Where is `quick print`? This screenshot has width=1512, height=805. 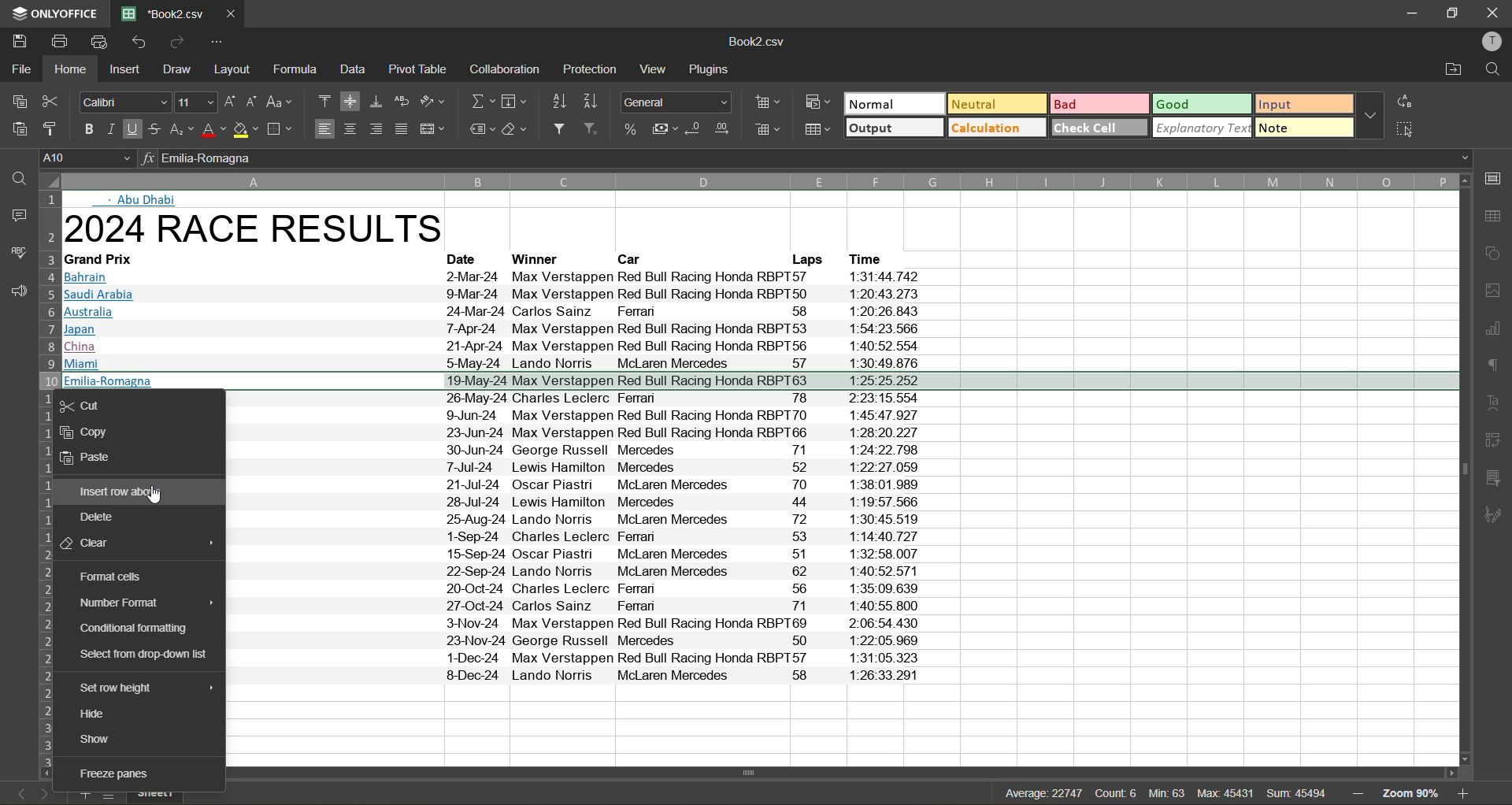
quick print is located at coordinates (100, 42).